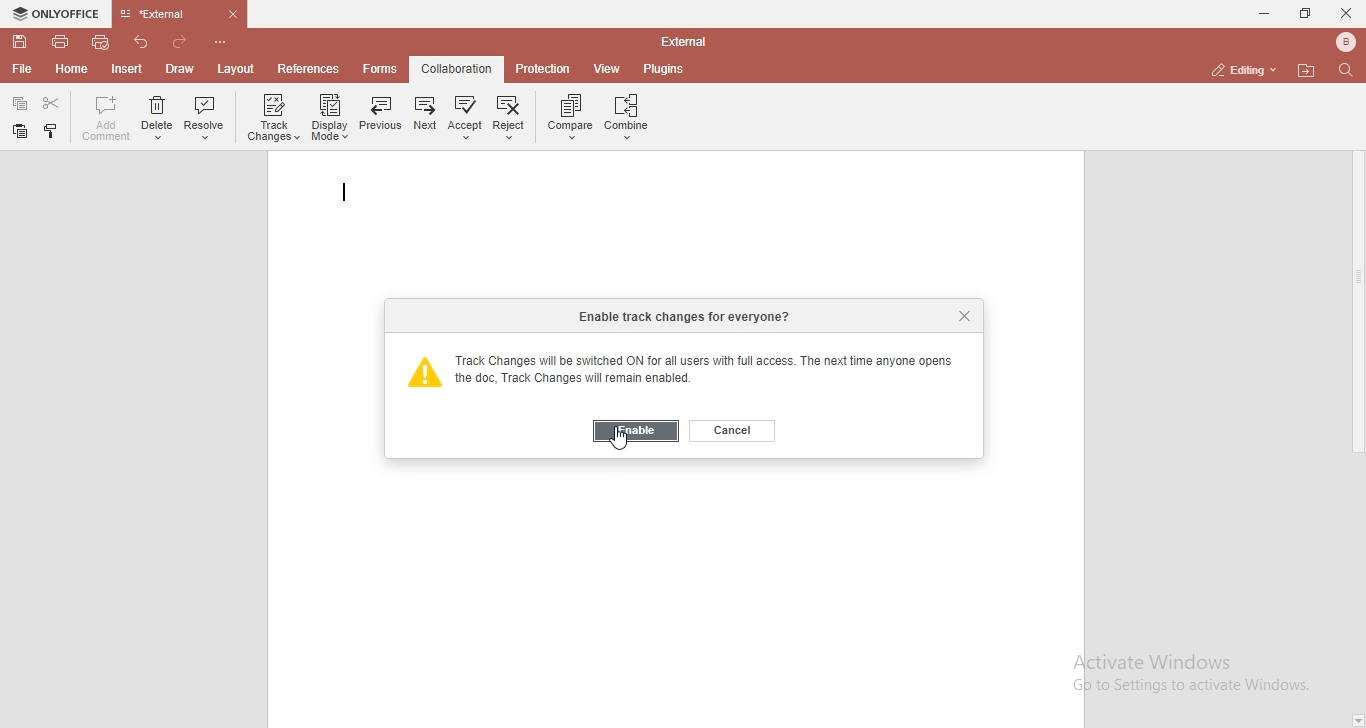 This screenshot has height=728, width=1366. I want to click on paste speacial, so click(20, 102).